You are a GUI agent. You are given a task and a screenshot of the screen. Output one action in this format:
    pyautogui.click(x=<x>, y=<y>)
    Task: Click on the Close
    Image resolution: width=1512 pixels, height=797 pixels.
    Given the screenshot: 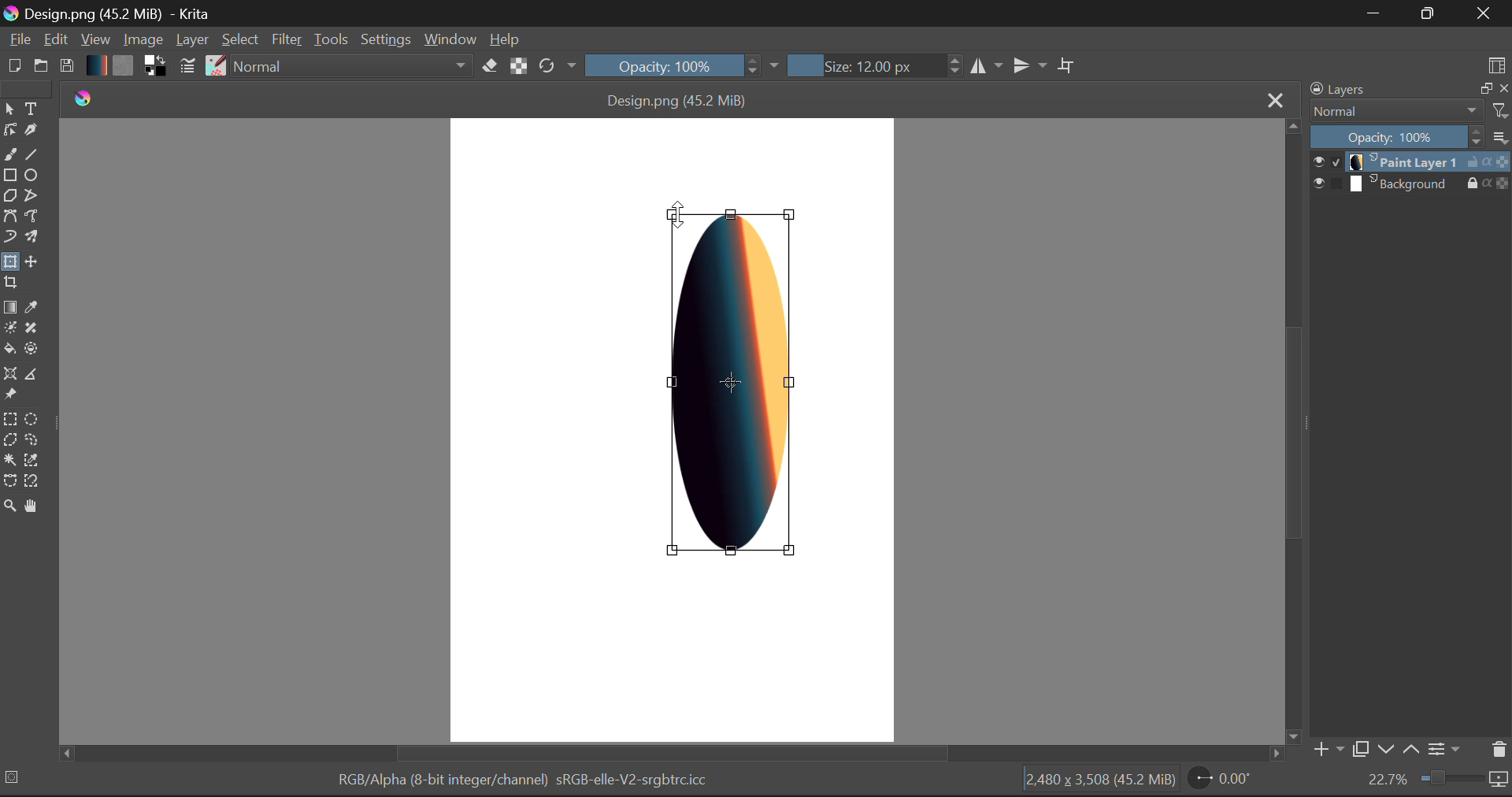 What is the action you would take?
    pyautogui.click(x=1273, y=99)
    